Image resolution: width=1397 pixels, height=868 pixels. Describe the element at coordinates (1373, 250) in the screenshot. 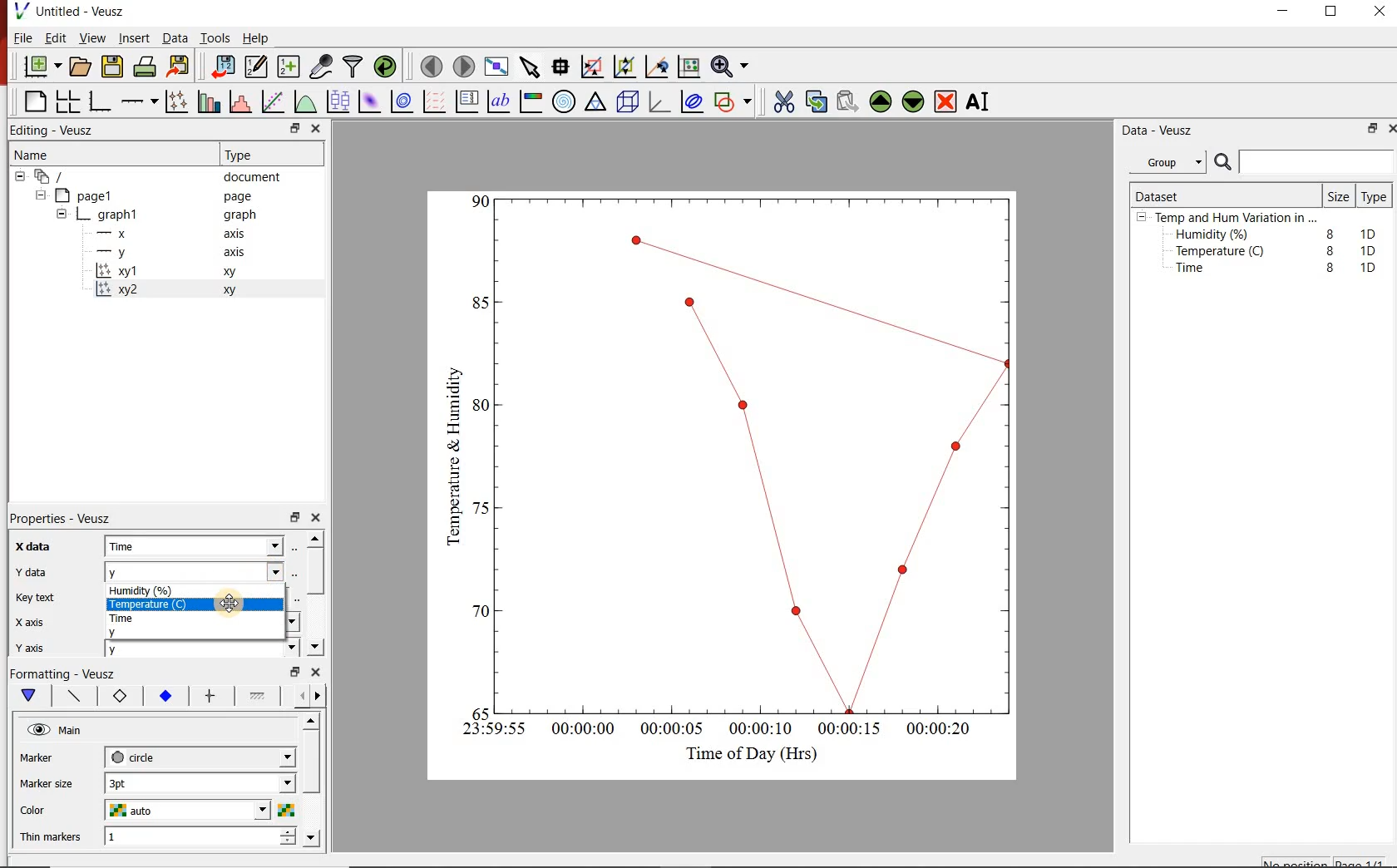

I see `1D` at that location.